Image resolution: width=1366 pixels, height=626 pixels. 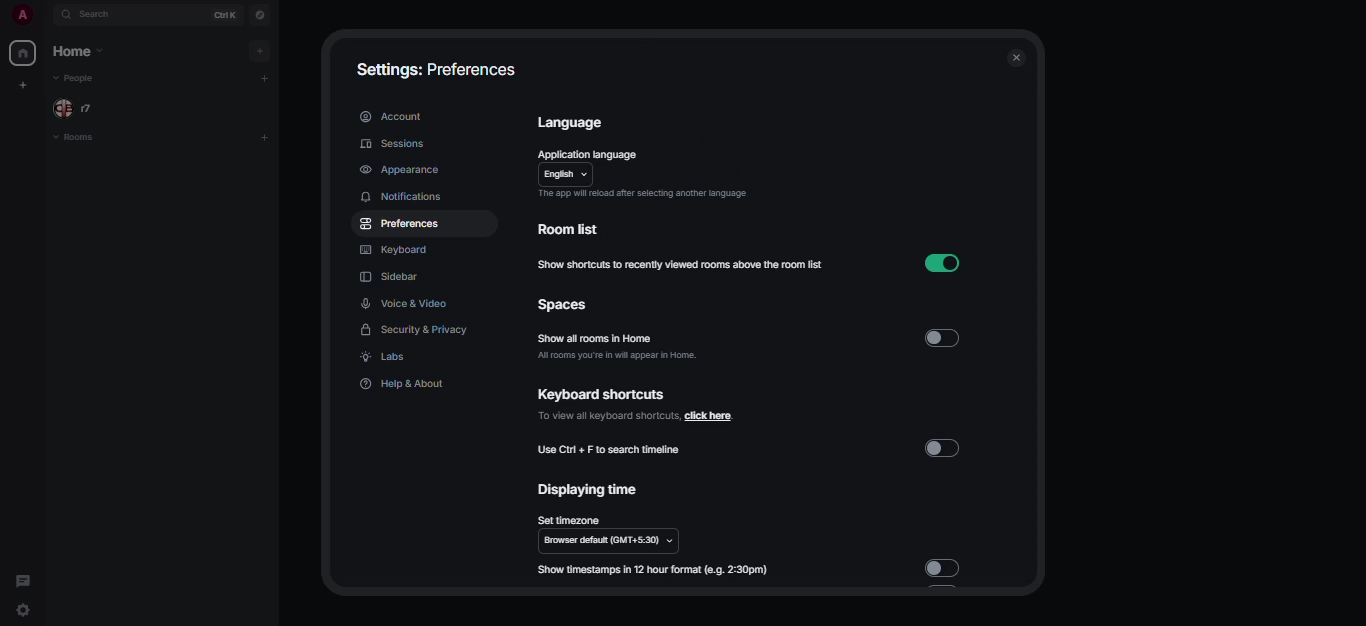 I want to click on ctrl K, so click(x=225, y=13).